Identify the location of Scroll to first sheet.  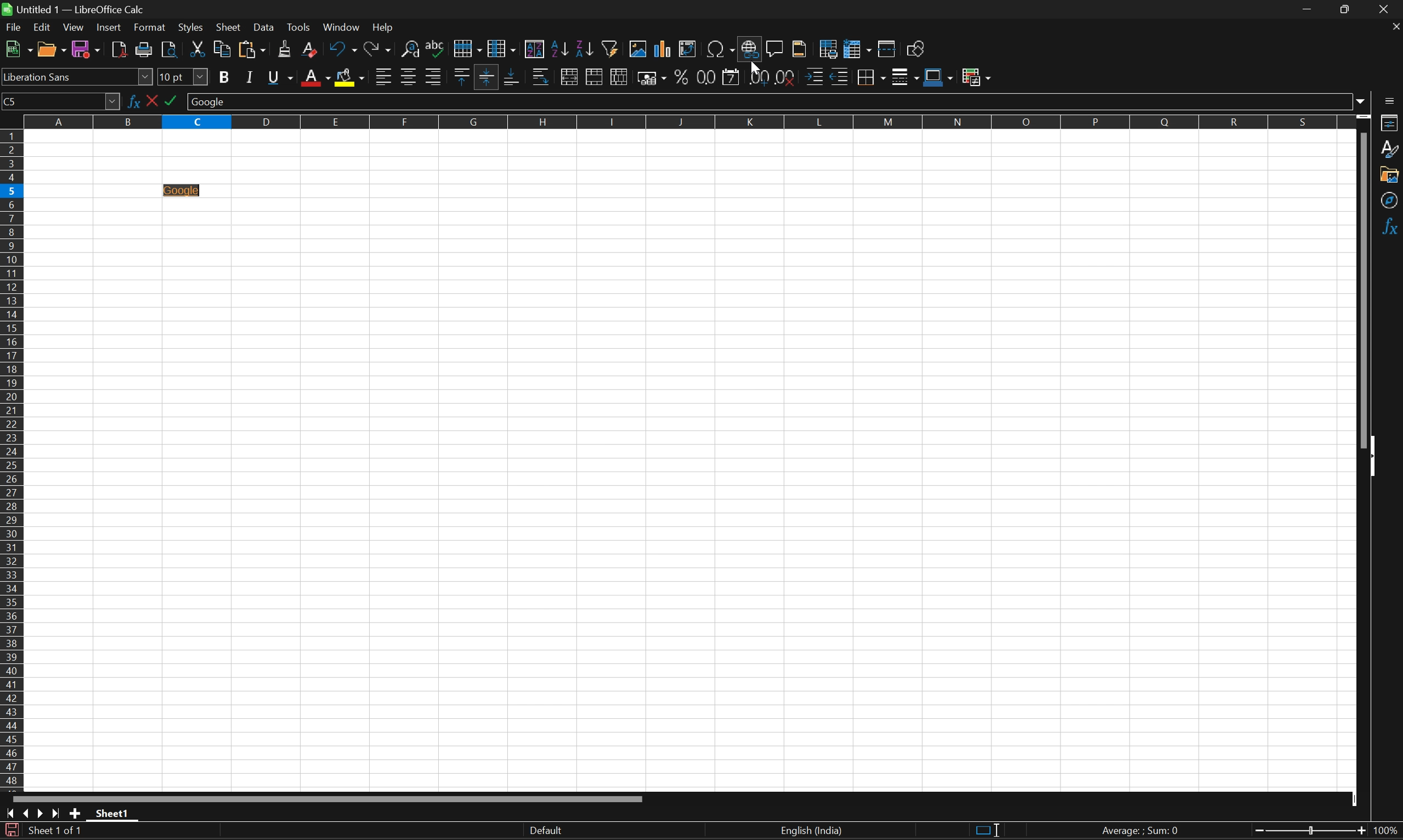
(10, 815).